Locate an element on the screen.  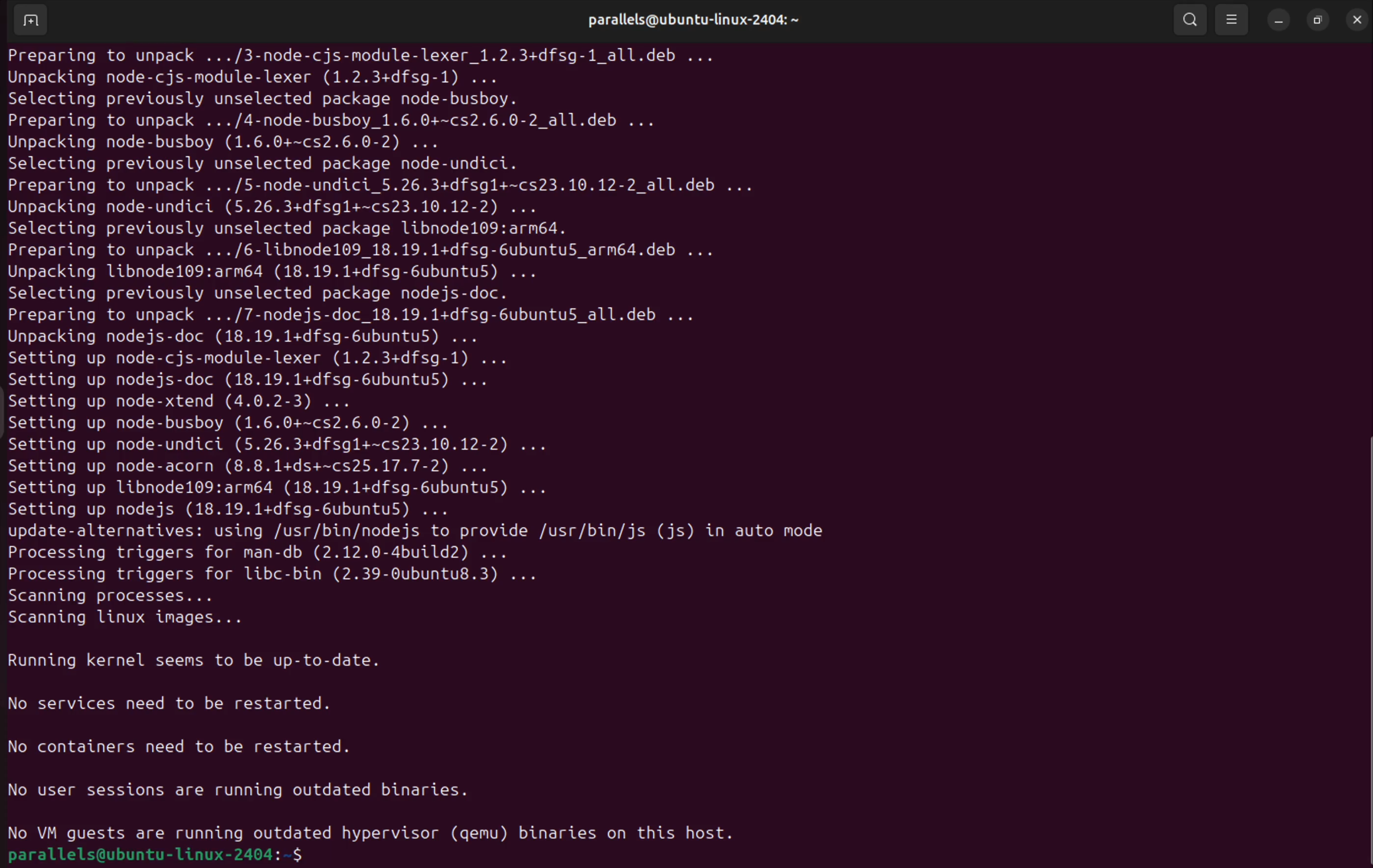
minimize is located at coordinates (1278, 22).